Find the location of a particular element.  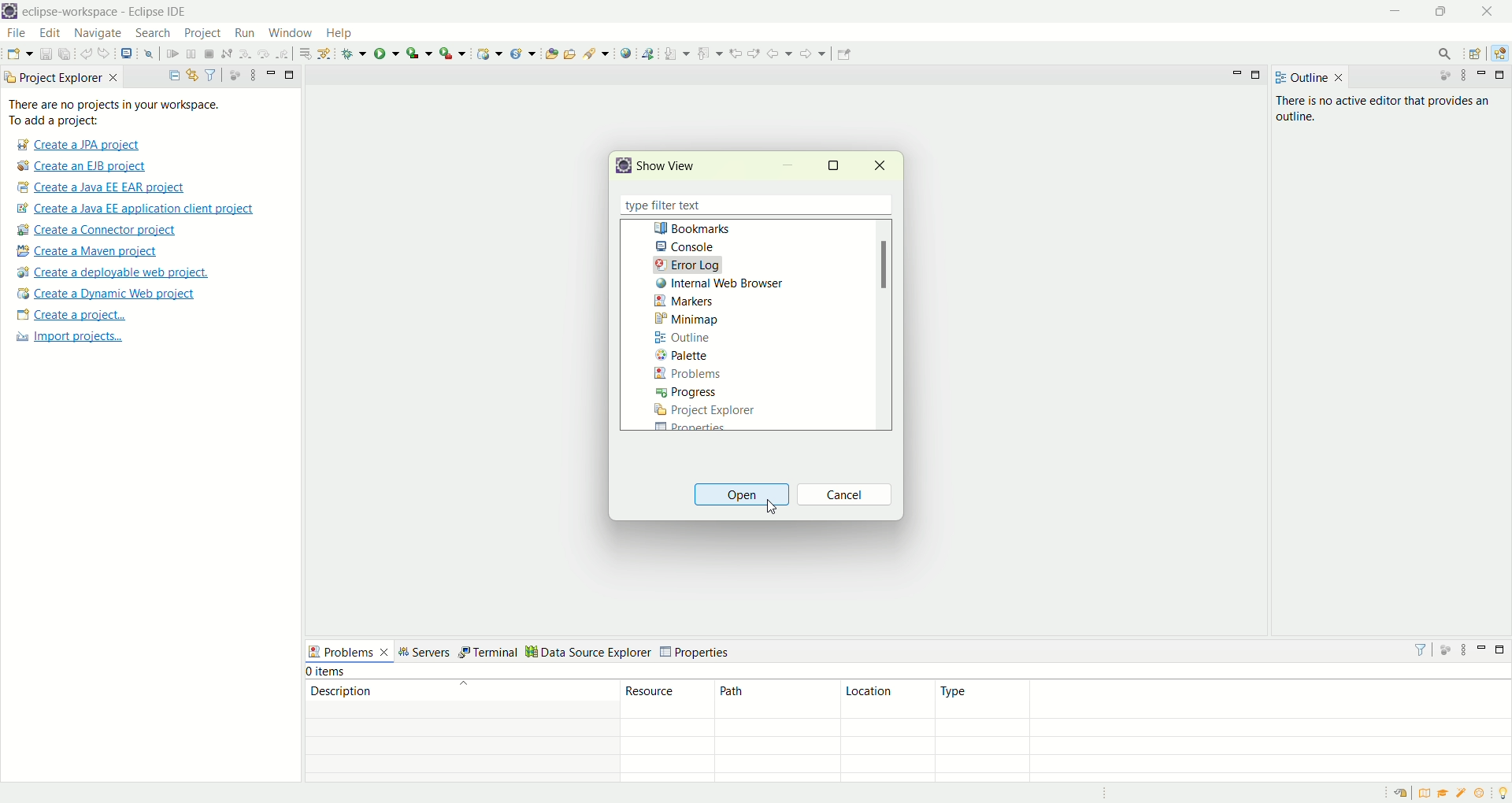

tip of the day is located at coordinates (1502, 794).